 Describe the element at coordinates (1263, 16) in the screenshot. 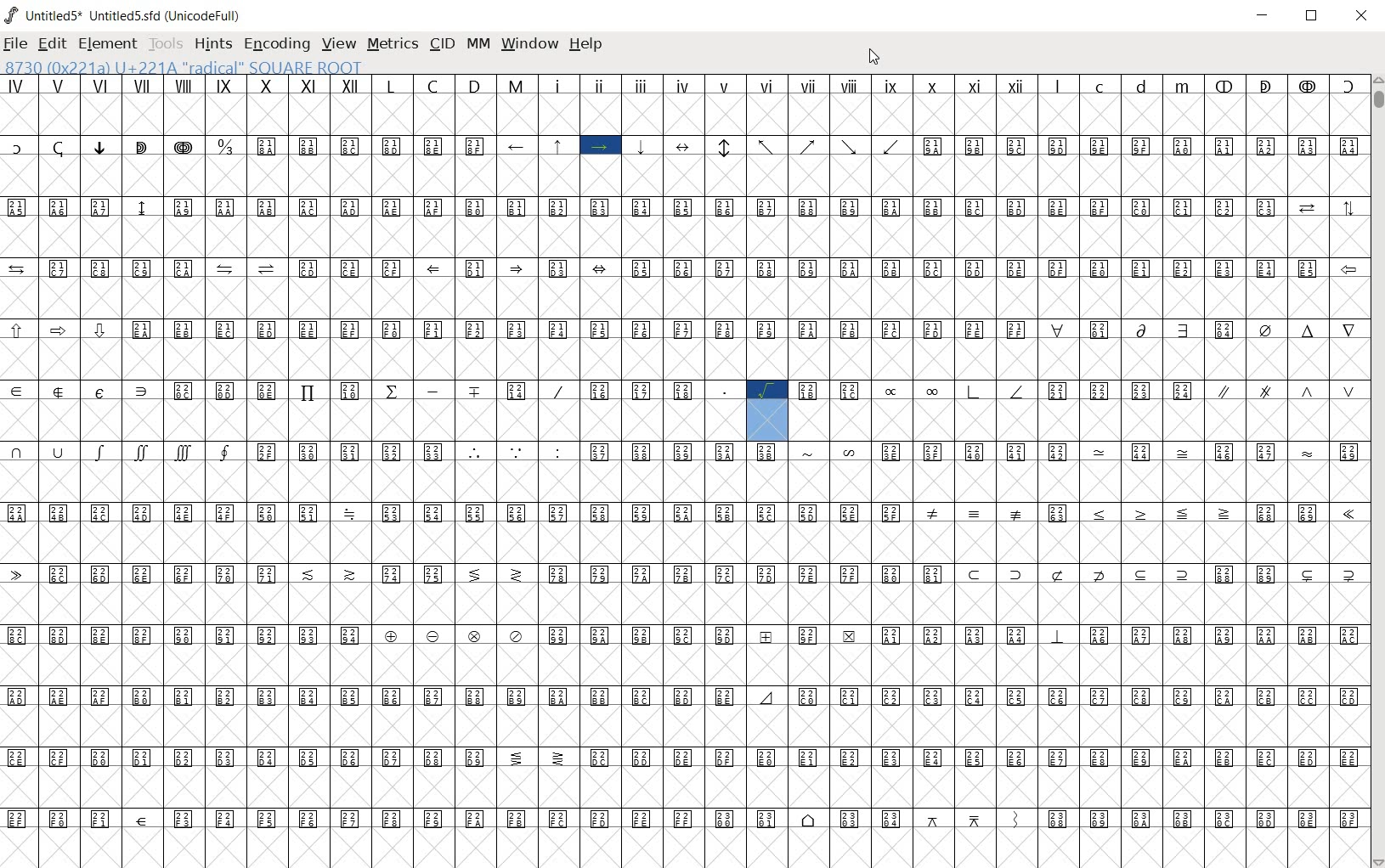

I see `MINIMIZE` at that location.